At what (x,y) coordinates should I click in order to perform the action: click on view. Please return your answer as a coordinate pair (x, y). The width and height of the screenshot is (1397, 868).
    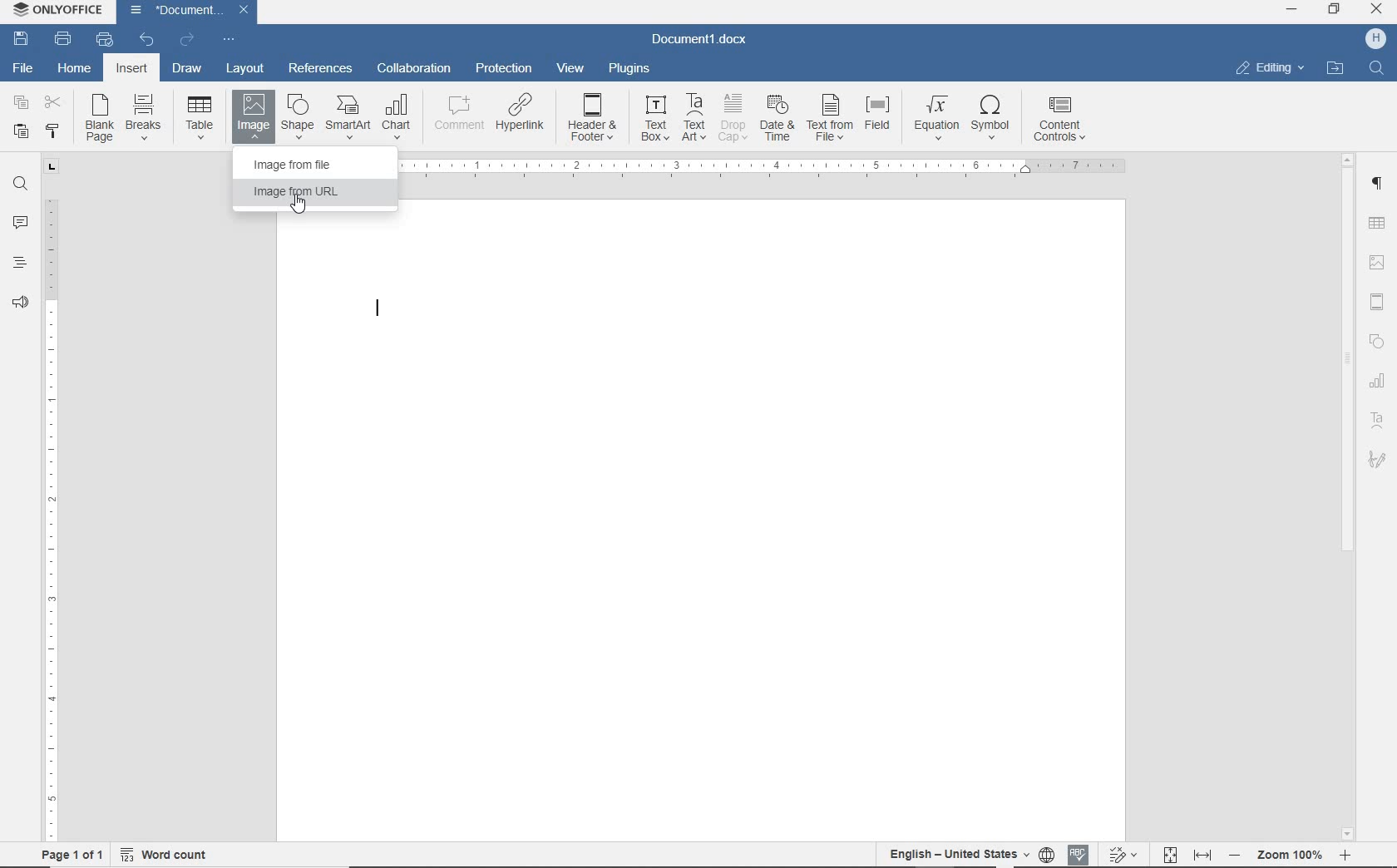
    Looking at the image, I should click on (571, 70).